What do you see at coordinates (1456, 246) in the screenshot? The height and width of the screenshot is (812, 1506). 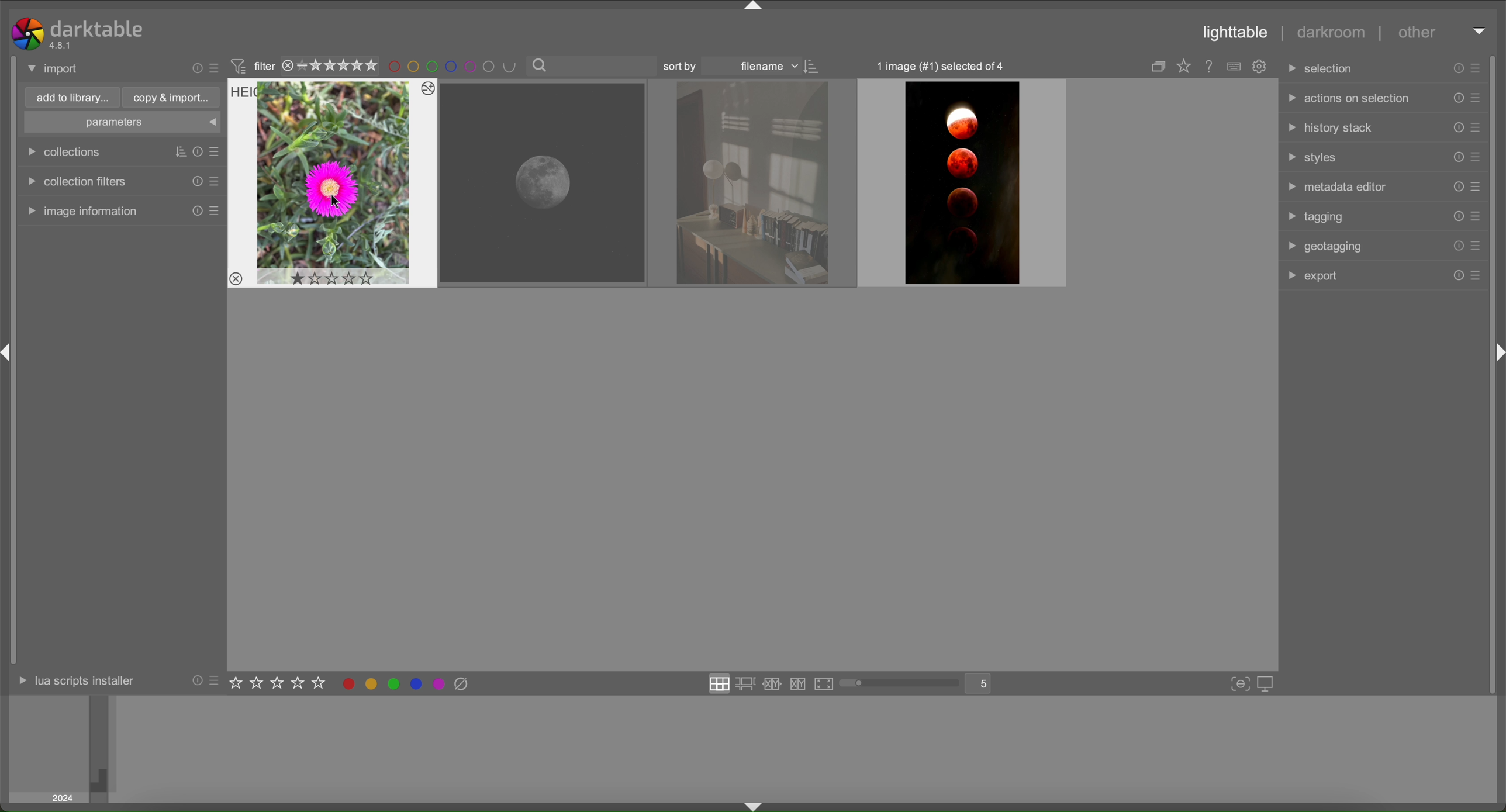 I see `reset presets` at bounding box center [1456, 246].